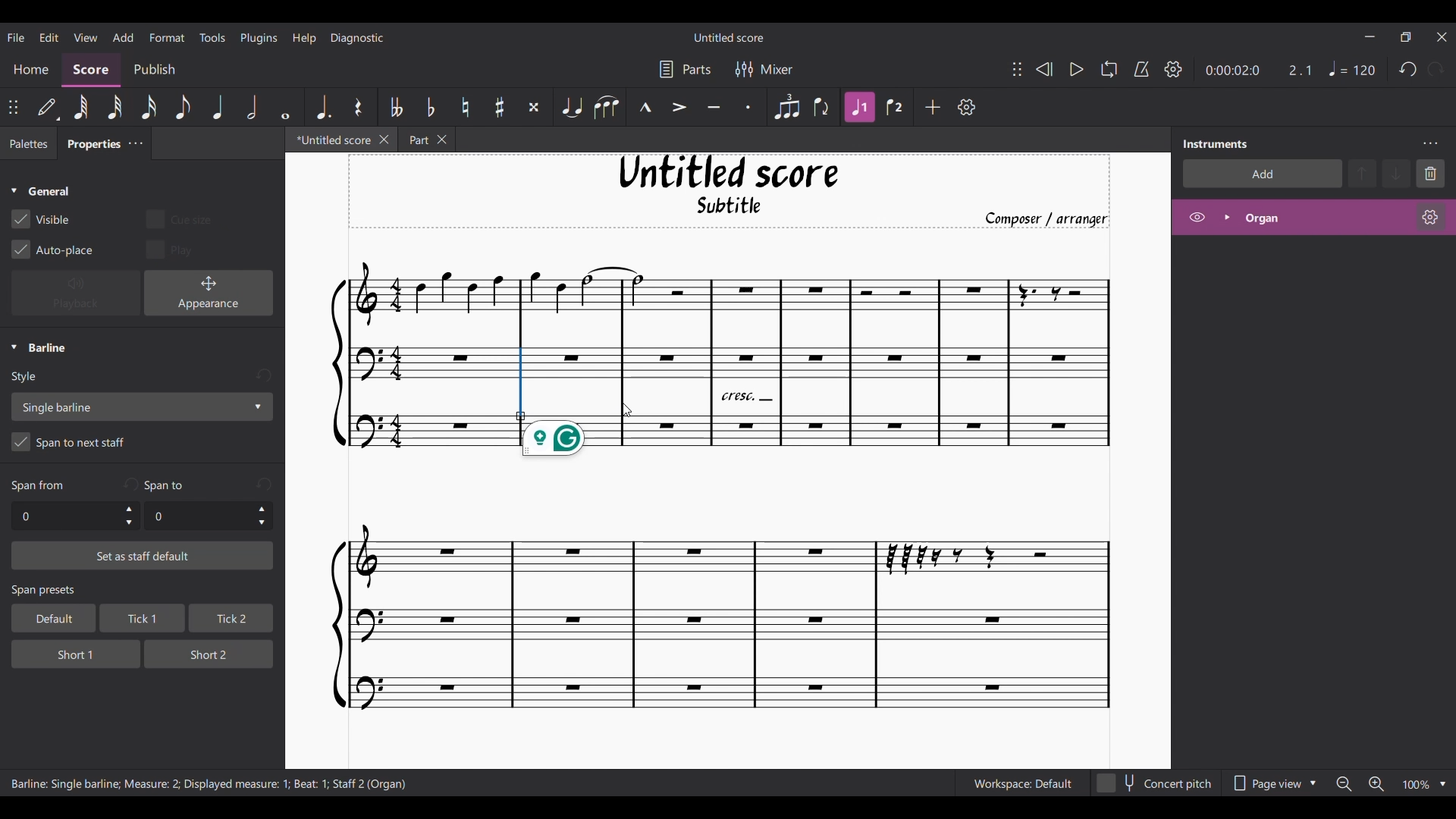 This screenshot has width=1456, height=819. What do you see at coordinates (168, 36) in the screenshot?
I see `Format menu` at bounding box center [168, 36].